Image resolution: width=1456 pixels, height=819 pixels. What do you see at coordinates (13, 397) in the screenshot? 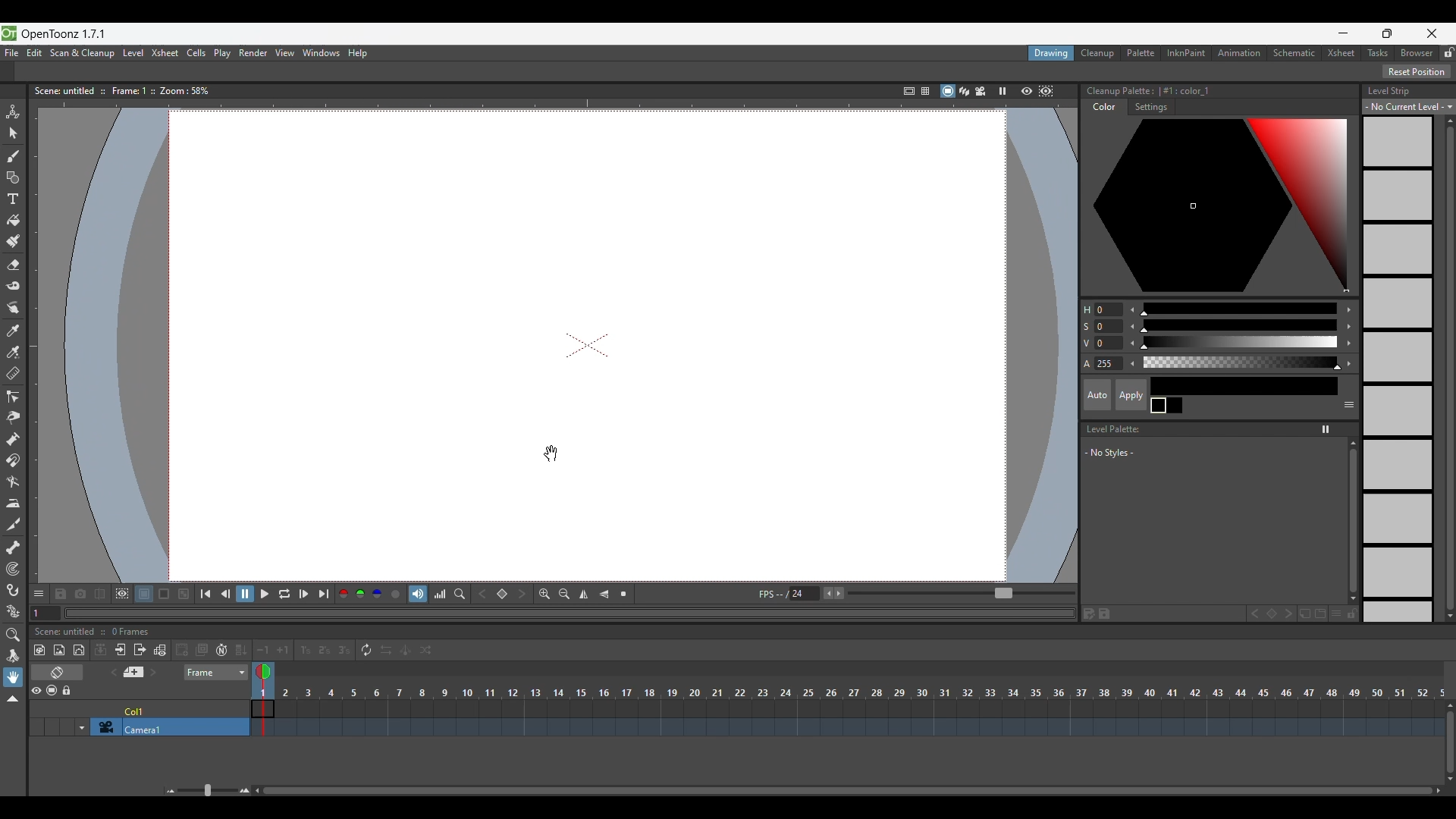
I see `Control point editor tool` at bounding box center [13, 397].